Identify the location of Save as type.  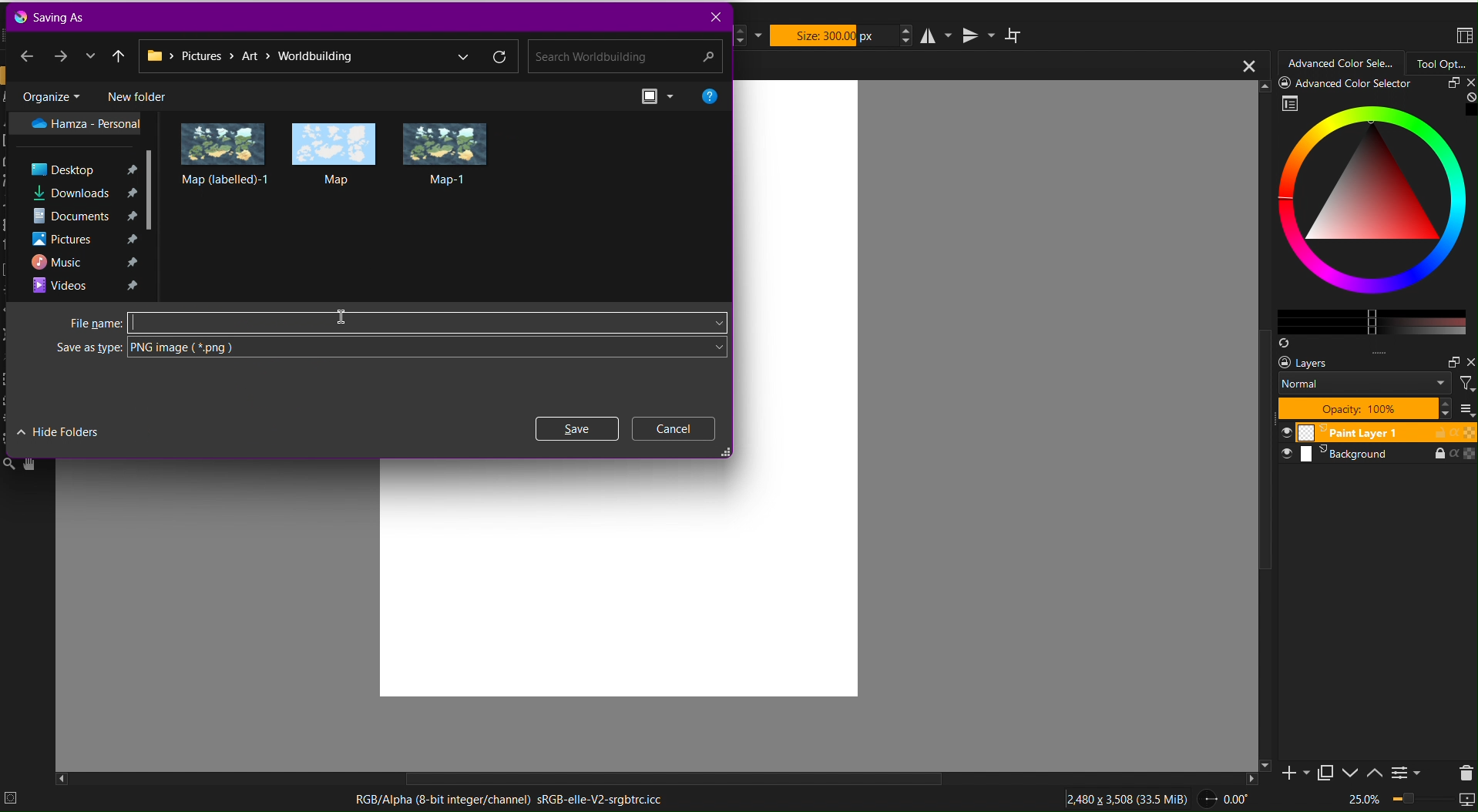
(395, 351).